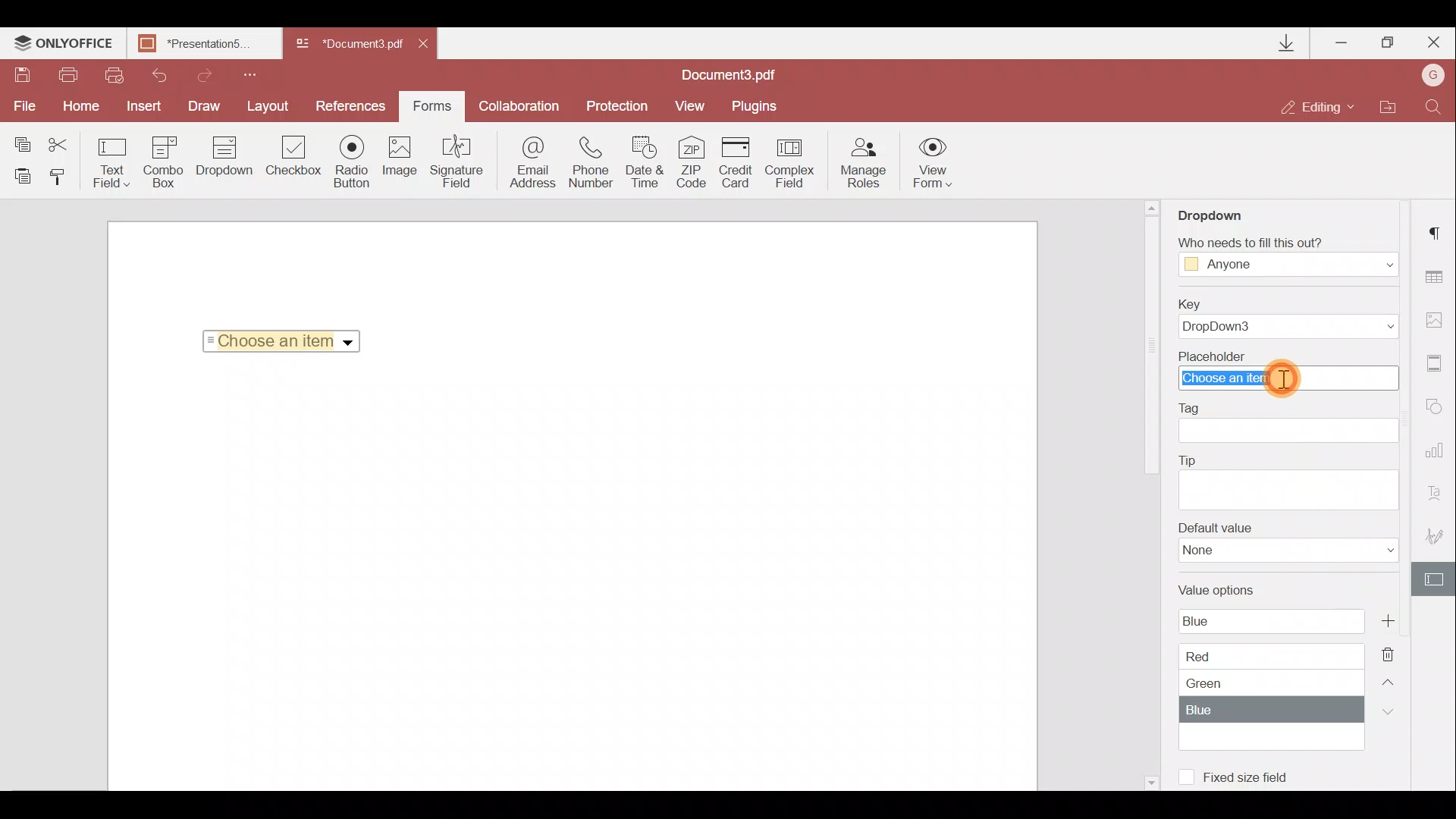 The image size is (1456, 819). I want to click on Manage roles, so click(864, 163).